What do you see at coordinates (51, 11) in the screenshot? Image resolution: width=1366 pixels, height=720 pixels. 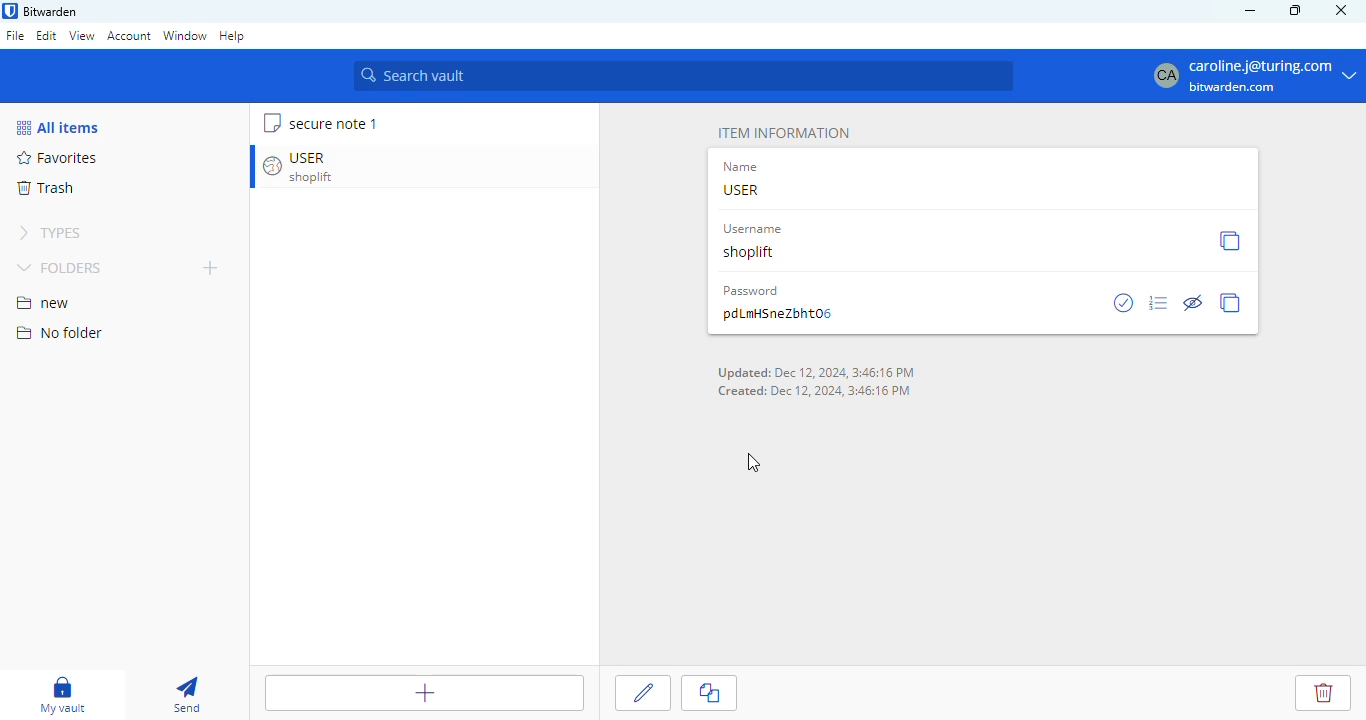 I see `bitwarden` at bounding box center [51, 11].